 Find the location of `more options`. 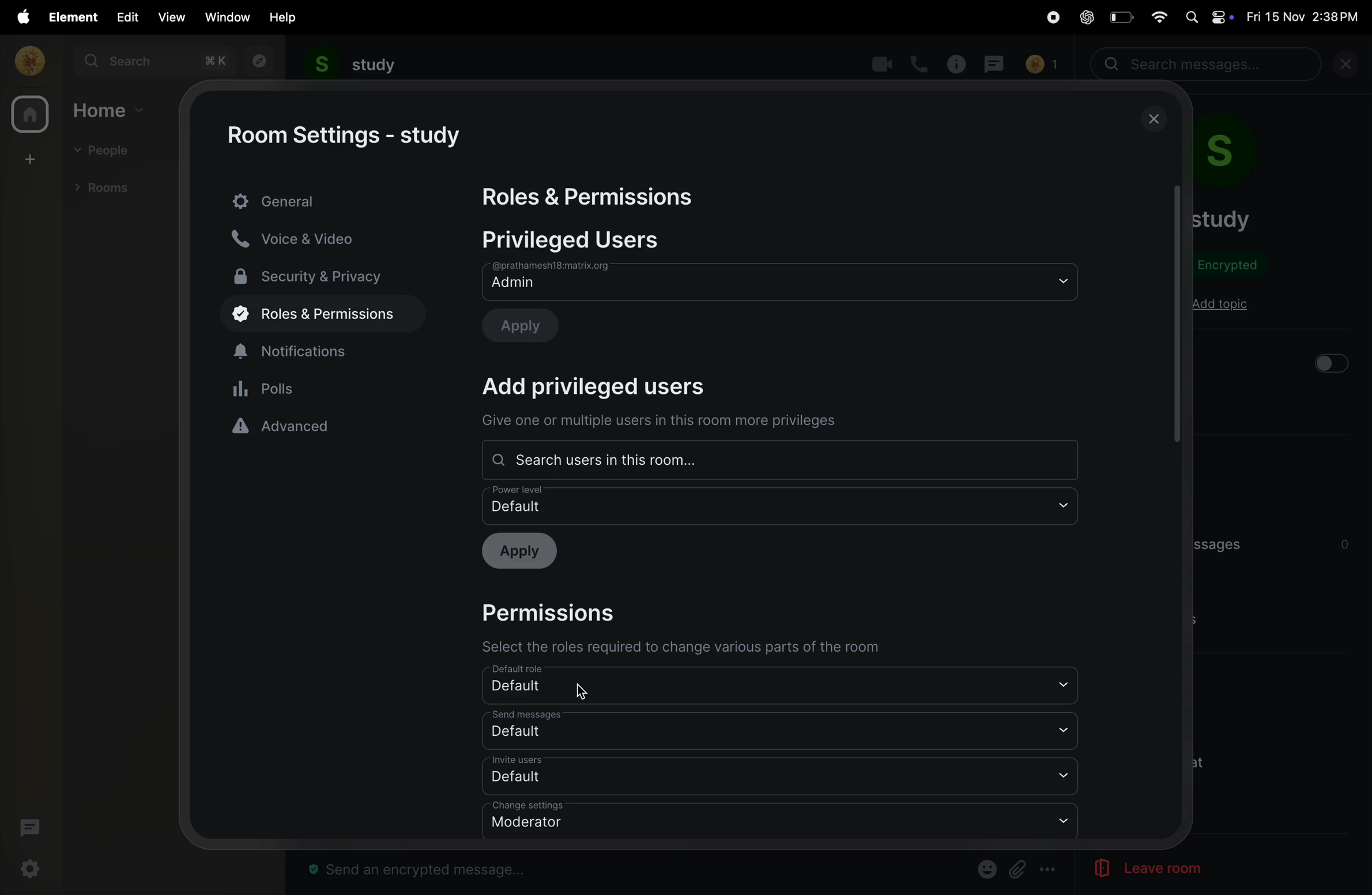

more options is located at coordinates (1049, 870).